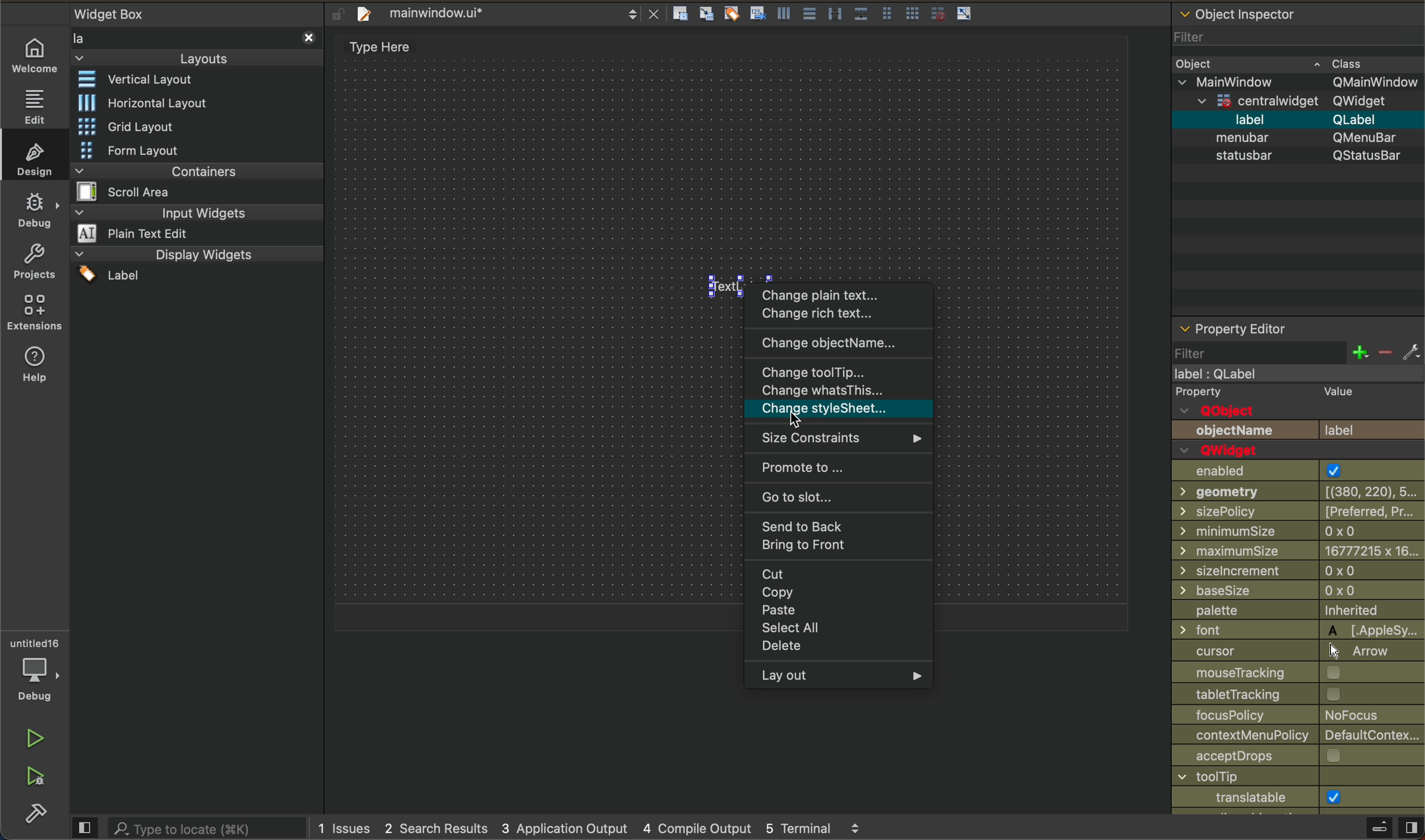  Describe the element at coordinates (1298, 591) in the screenshot. I see `` at that location.